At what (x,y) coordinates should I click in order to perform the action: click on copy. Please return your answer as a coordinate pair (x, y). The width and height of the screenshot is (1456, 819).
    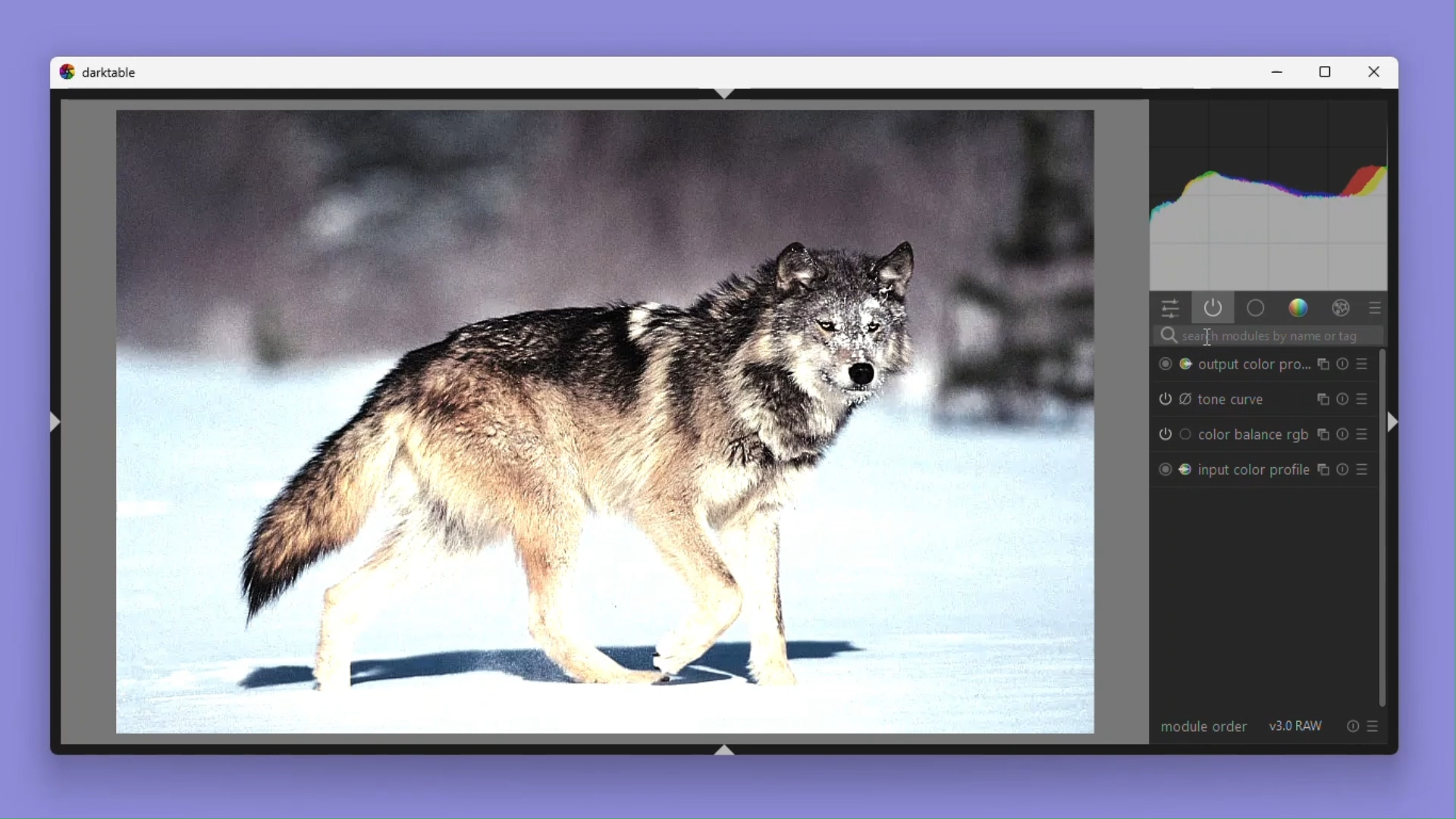
    Looking at the image, I should click on (1324, 471).